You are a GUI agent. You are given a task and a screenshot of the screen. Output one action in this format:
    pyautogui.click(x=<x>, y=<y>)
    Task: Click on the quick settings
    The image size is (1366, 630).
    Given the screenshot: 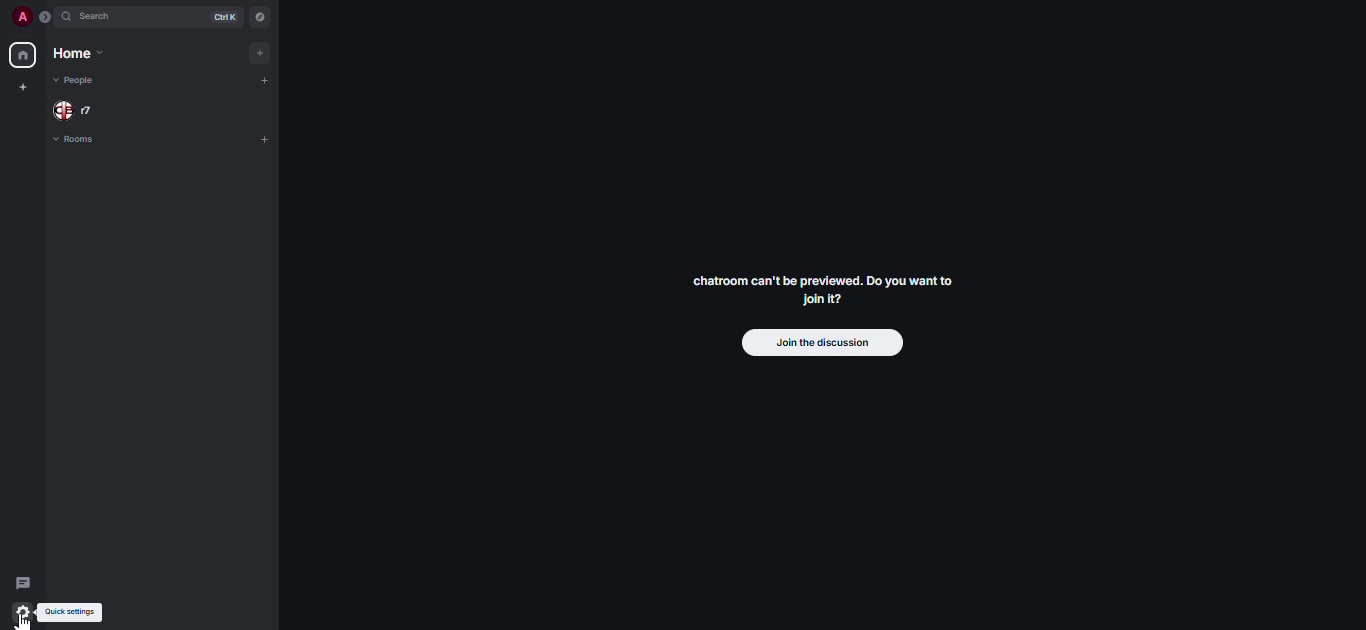 What is the action you would take?
    pyautogui.click(x=74, y=610)
    